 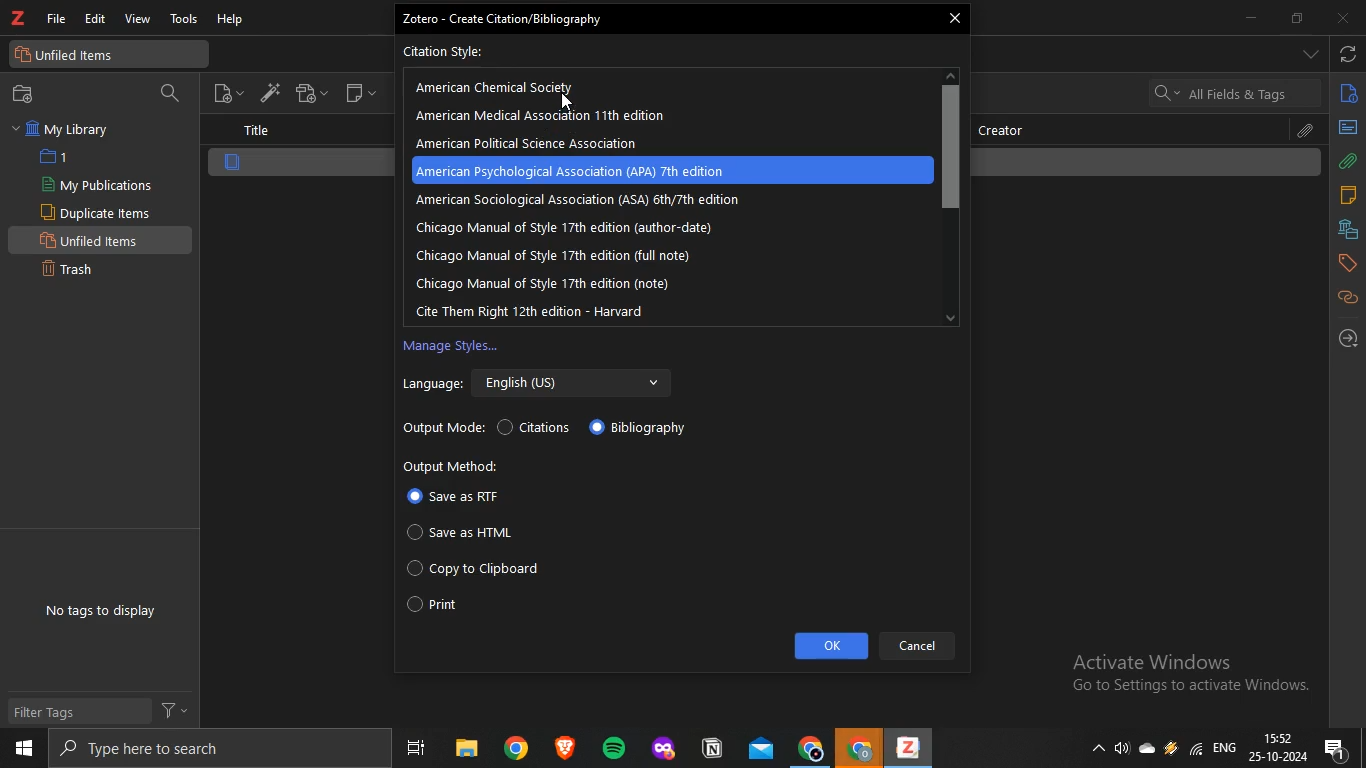 I want to click on up, so click(x=952, y=73).